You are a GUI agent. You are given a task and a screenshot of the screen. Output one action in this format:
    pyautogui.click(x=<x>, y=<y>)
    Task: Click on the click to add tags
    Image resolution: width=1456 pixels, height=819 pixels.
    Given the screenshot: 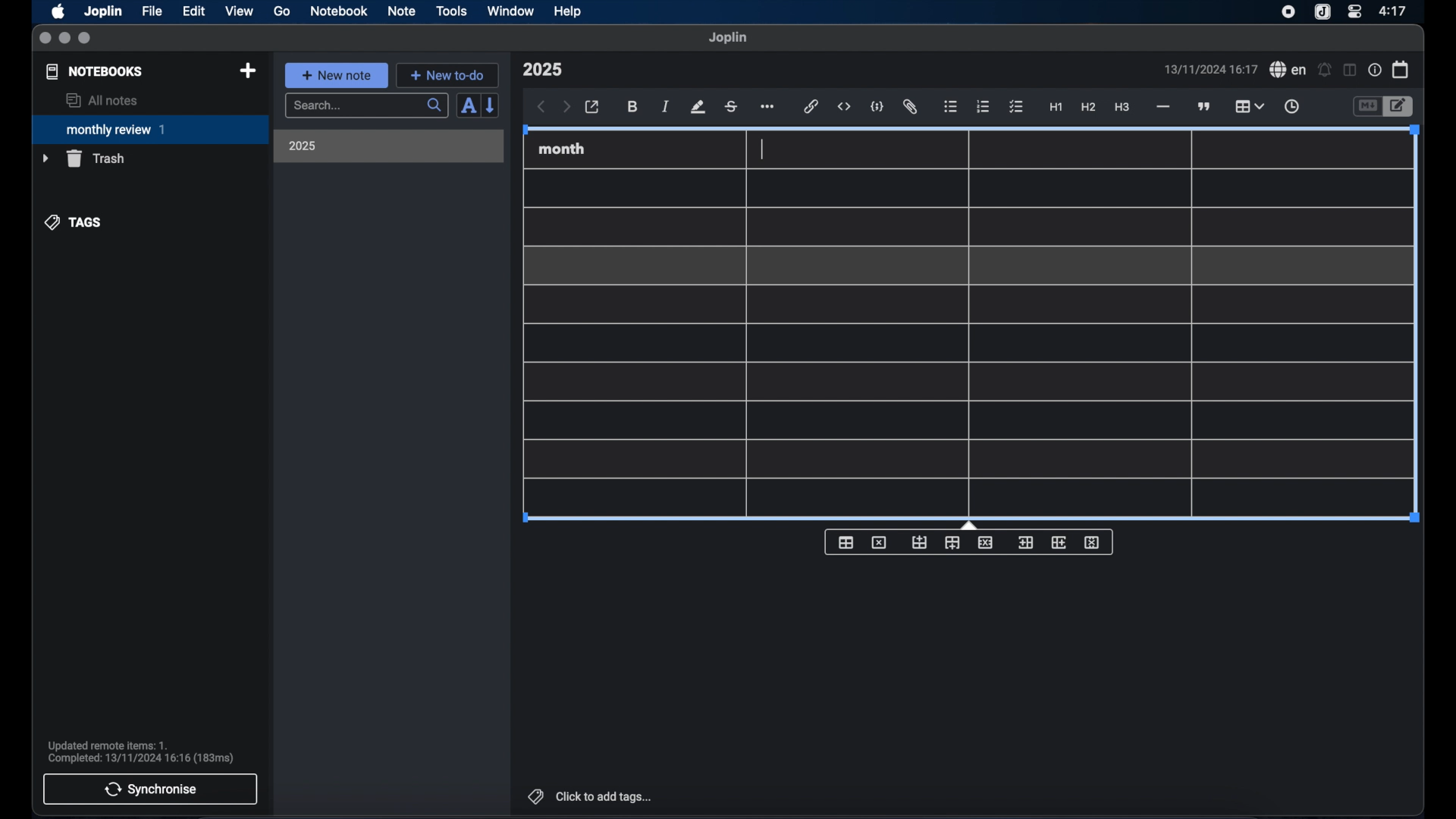 What is the action you would take?
    pyautogui.click(x=591, y=796)
    